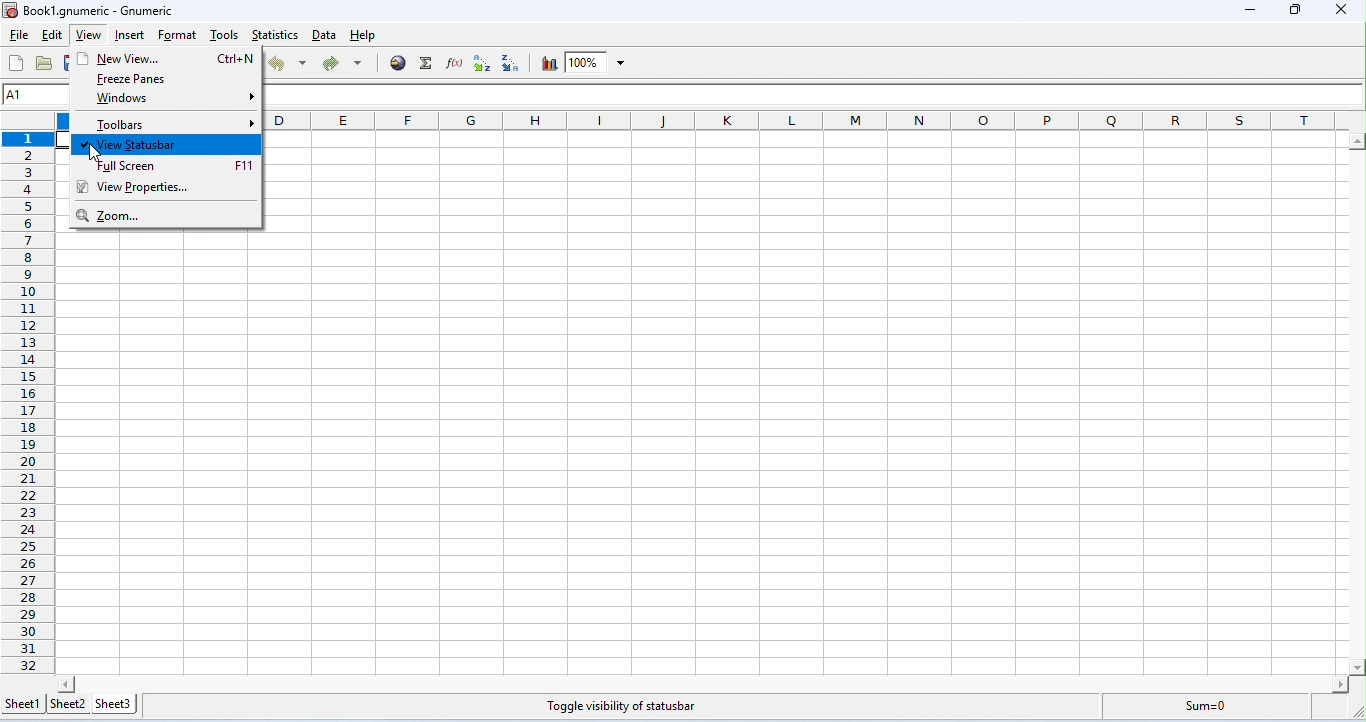 The height and width of the screenshot is (722, 1366). I want to click on redo, so click(342, 65).